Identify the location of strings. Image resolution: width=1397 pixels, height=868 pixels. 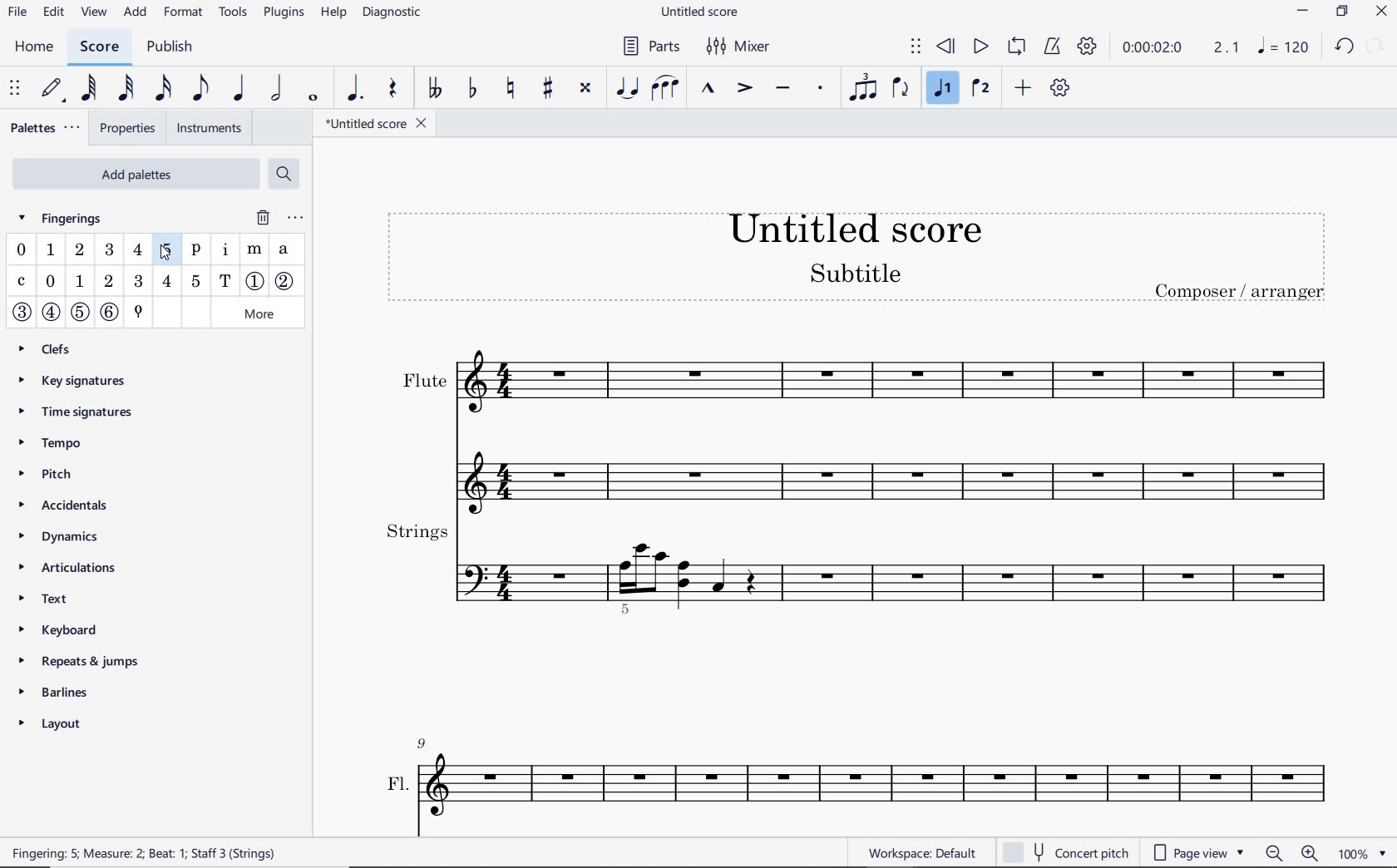
(858, 555).